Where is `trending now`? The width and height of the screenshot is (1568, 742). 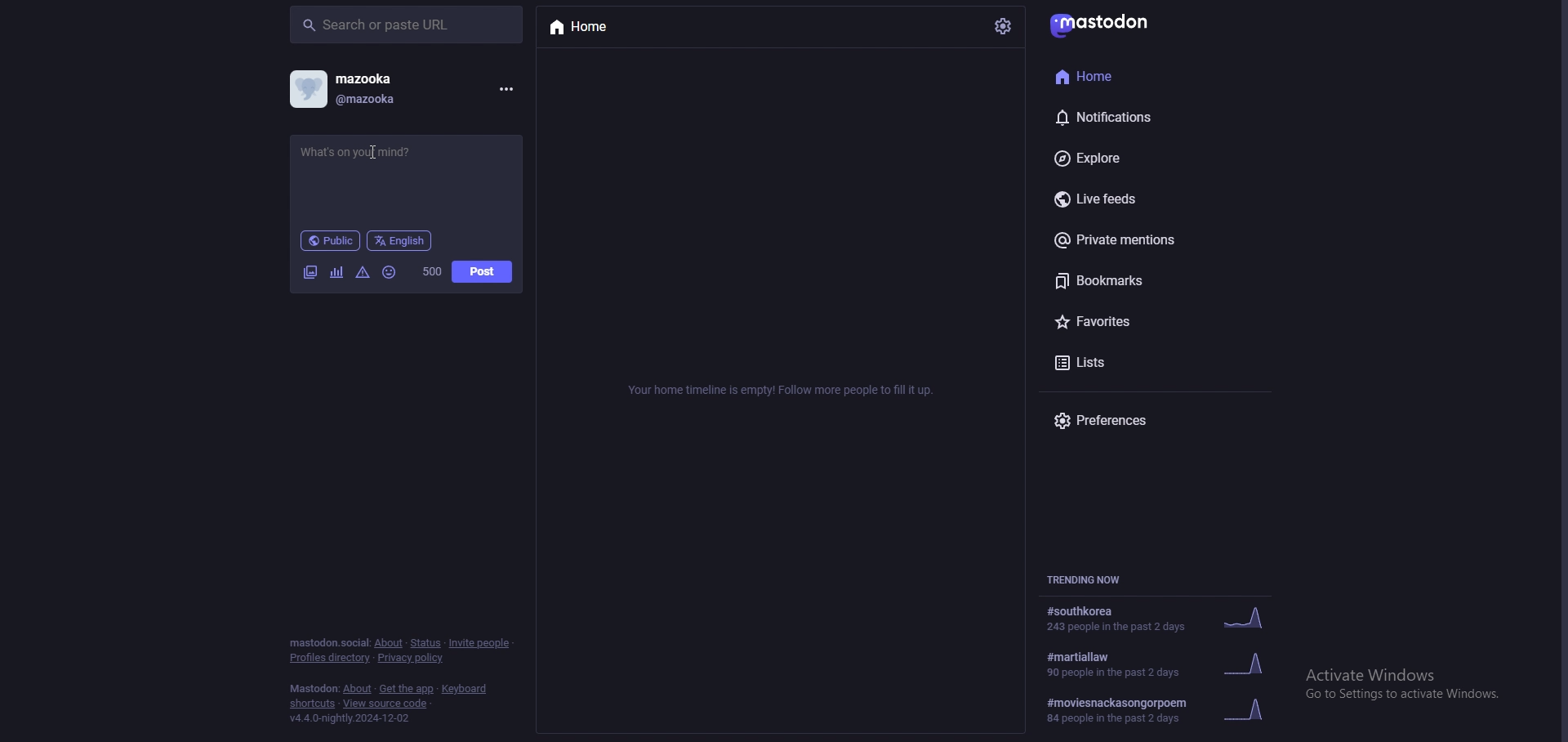 trending now is located at coordinates (1089, 579).